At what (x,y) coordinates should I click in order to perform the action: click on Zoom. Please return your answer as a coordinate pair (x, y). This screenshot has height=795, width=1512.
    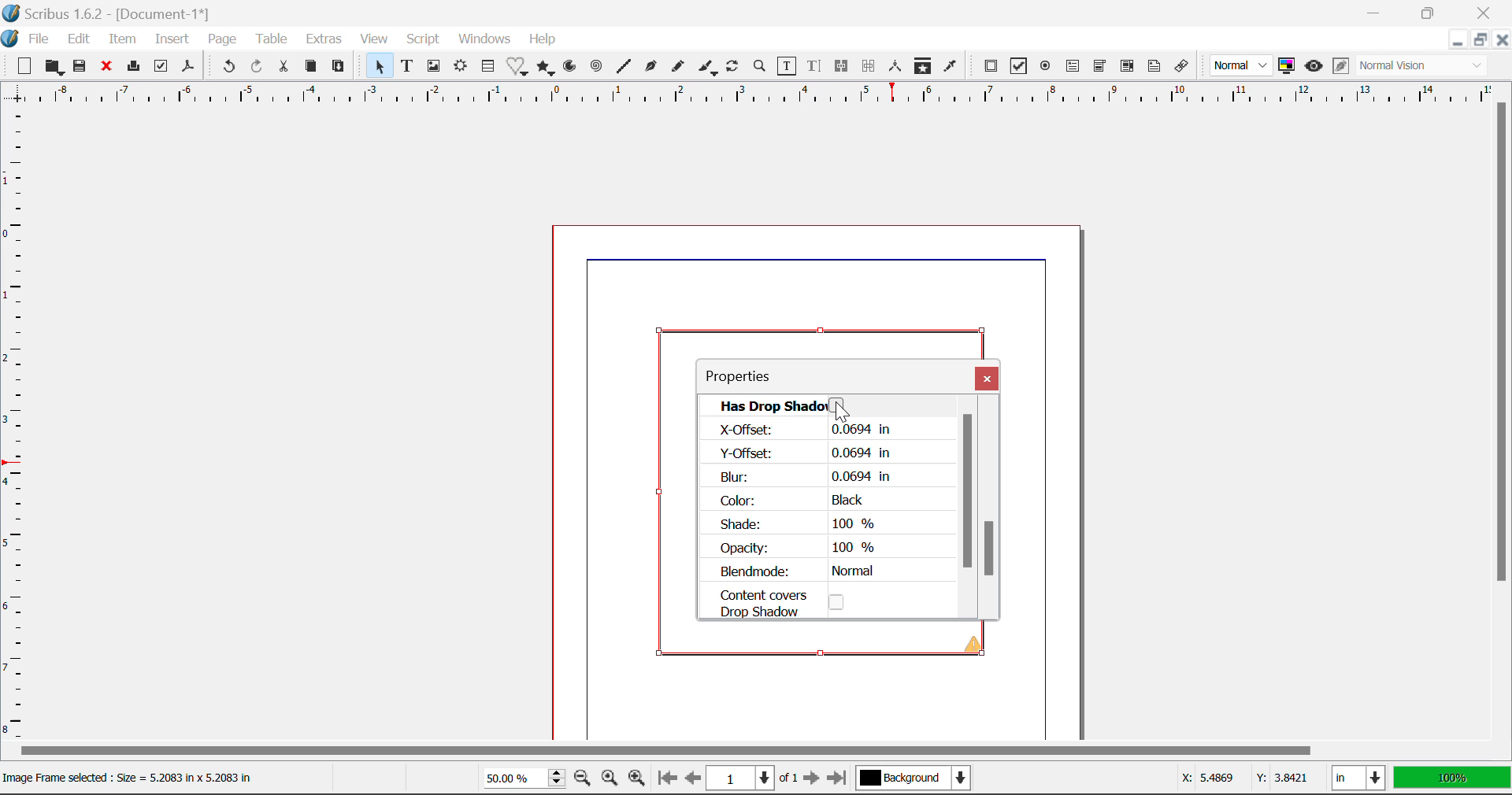
    Looking at the image, I should click on (762, 68).